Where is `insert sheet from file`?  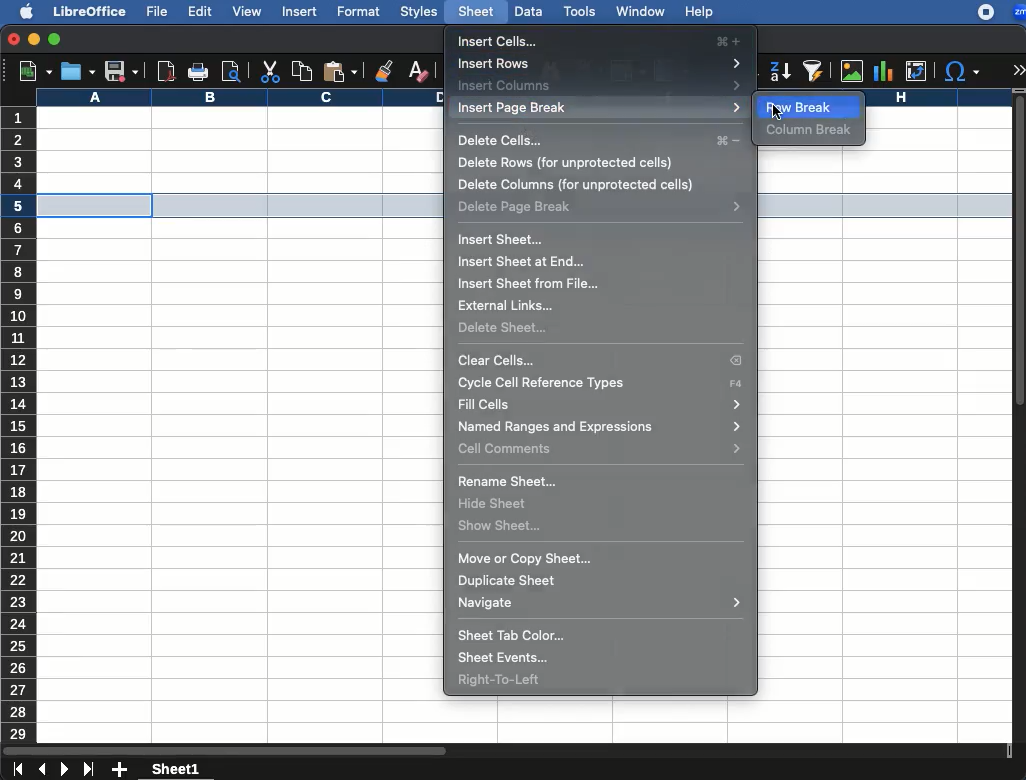 insert sheet from file is located at coordinates (534, 283).